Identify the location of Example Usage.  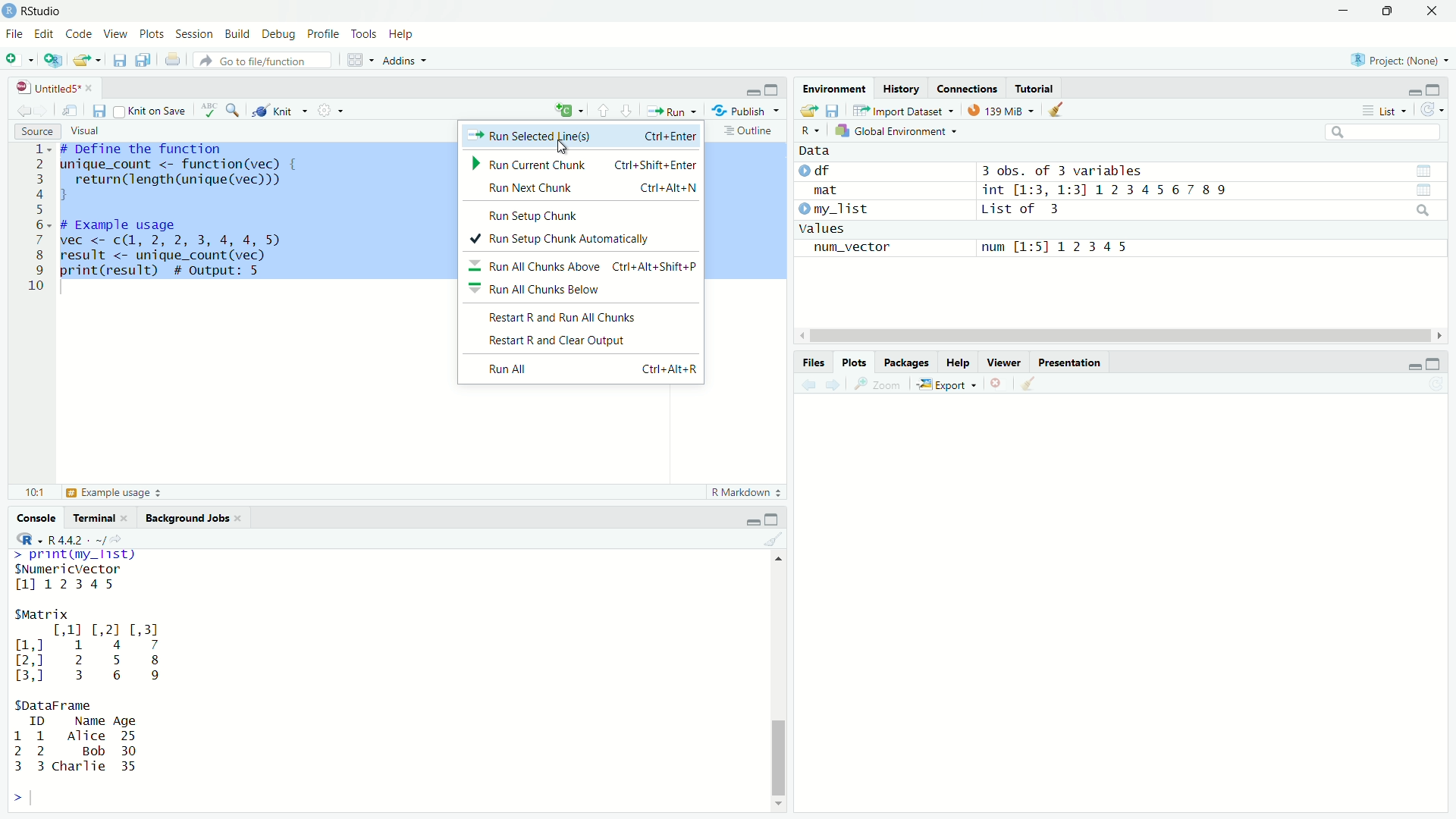
(112, 492).